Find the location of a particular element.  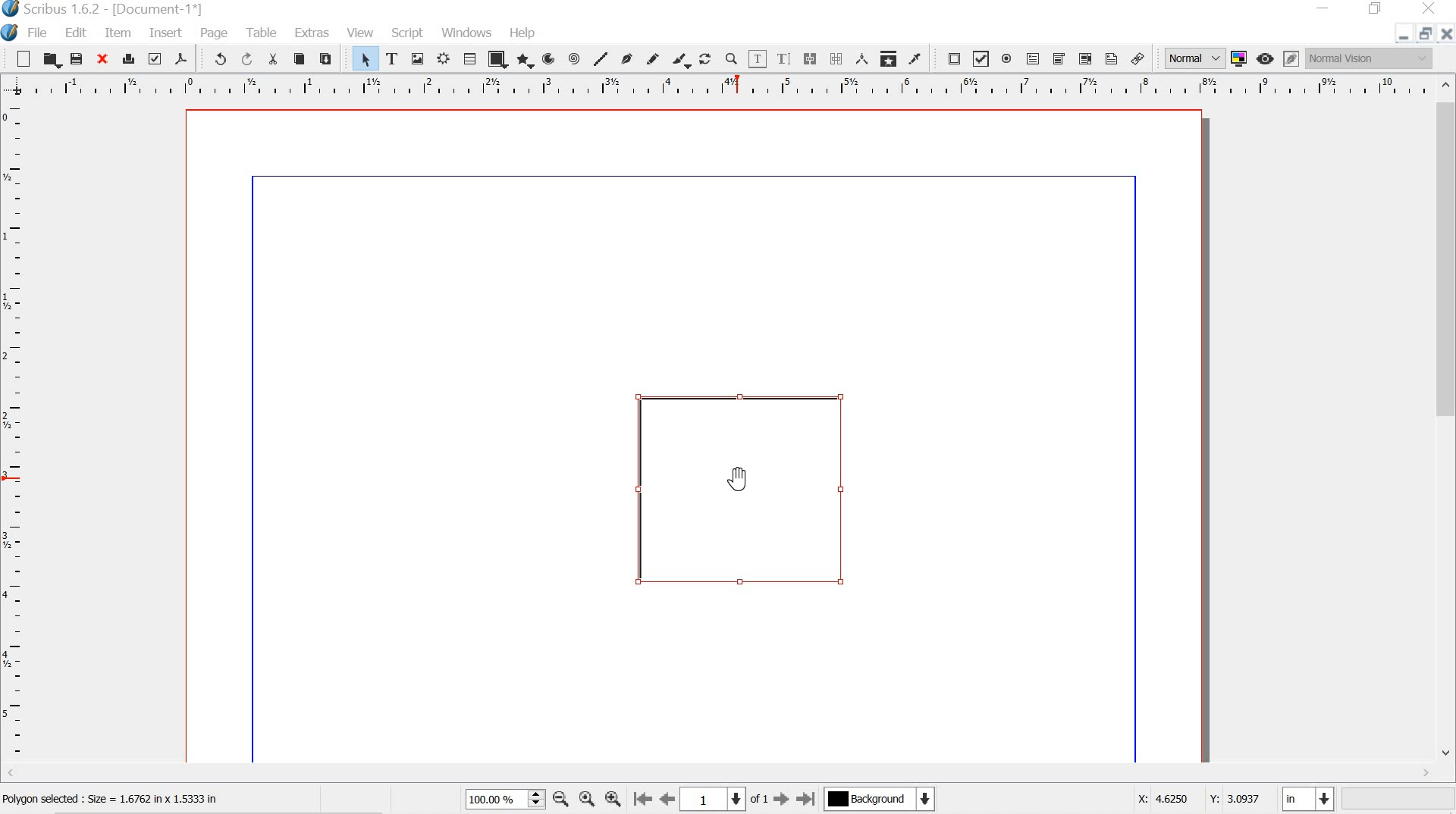

measurements is located at coordinates (859, 58).